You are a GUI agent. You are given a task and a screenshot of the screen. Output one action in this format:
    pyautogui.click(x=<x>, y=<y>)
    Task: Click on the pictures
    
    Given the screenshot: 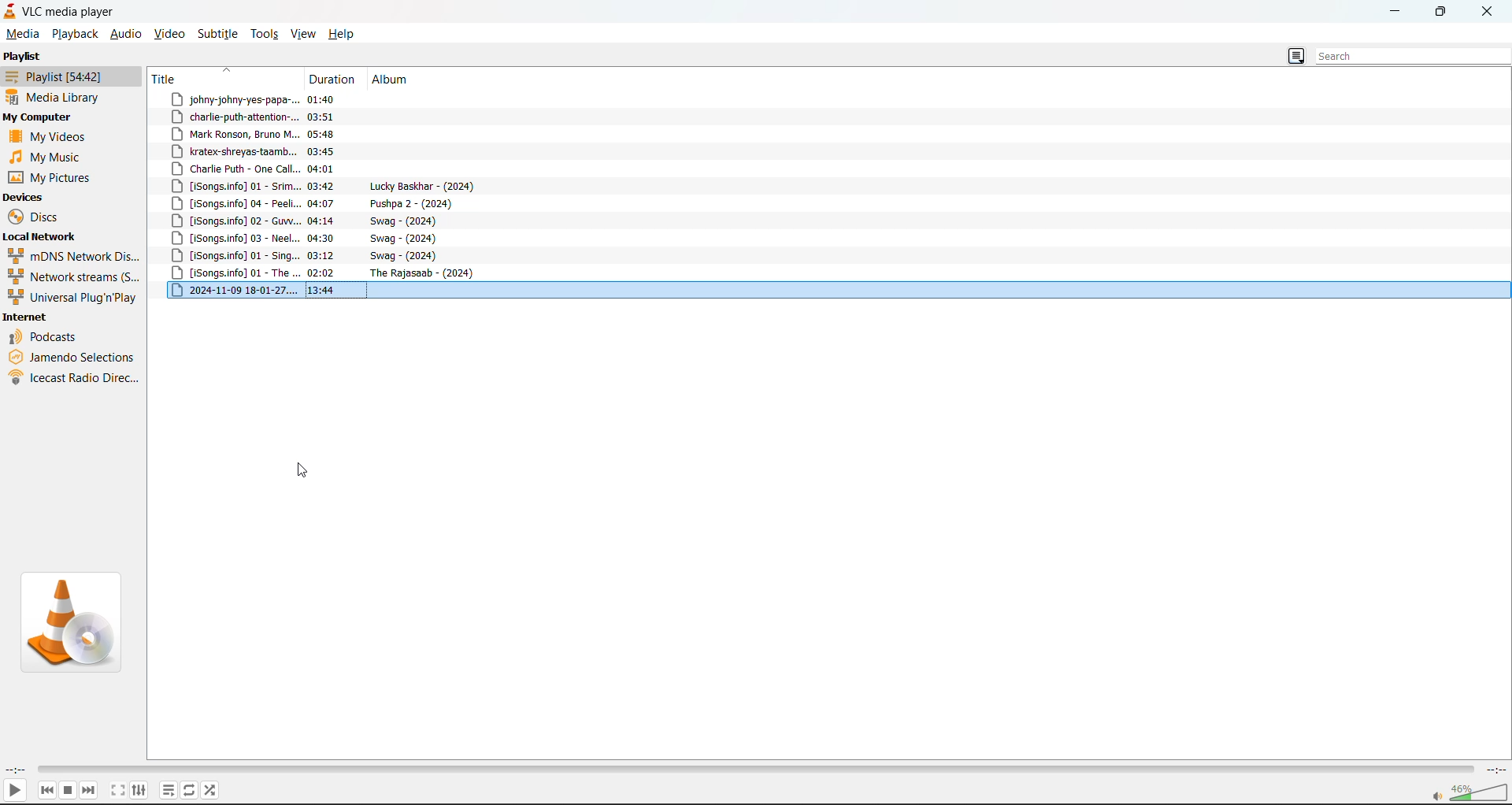 What is the action you would take?
    pyautogui.click(x=57, y=176)
    